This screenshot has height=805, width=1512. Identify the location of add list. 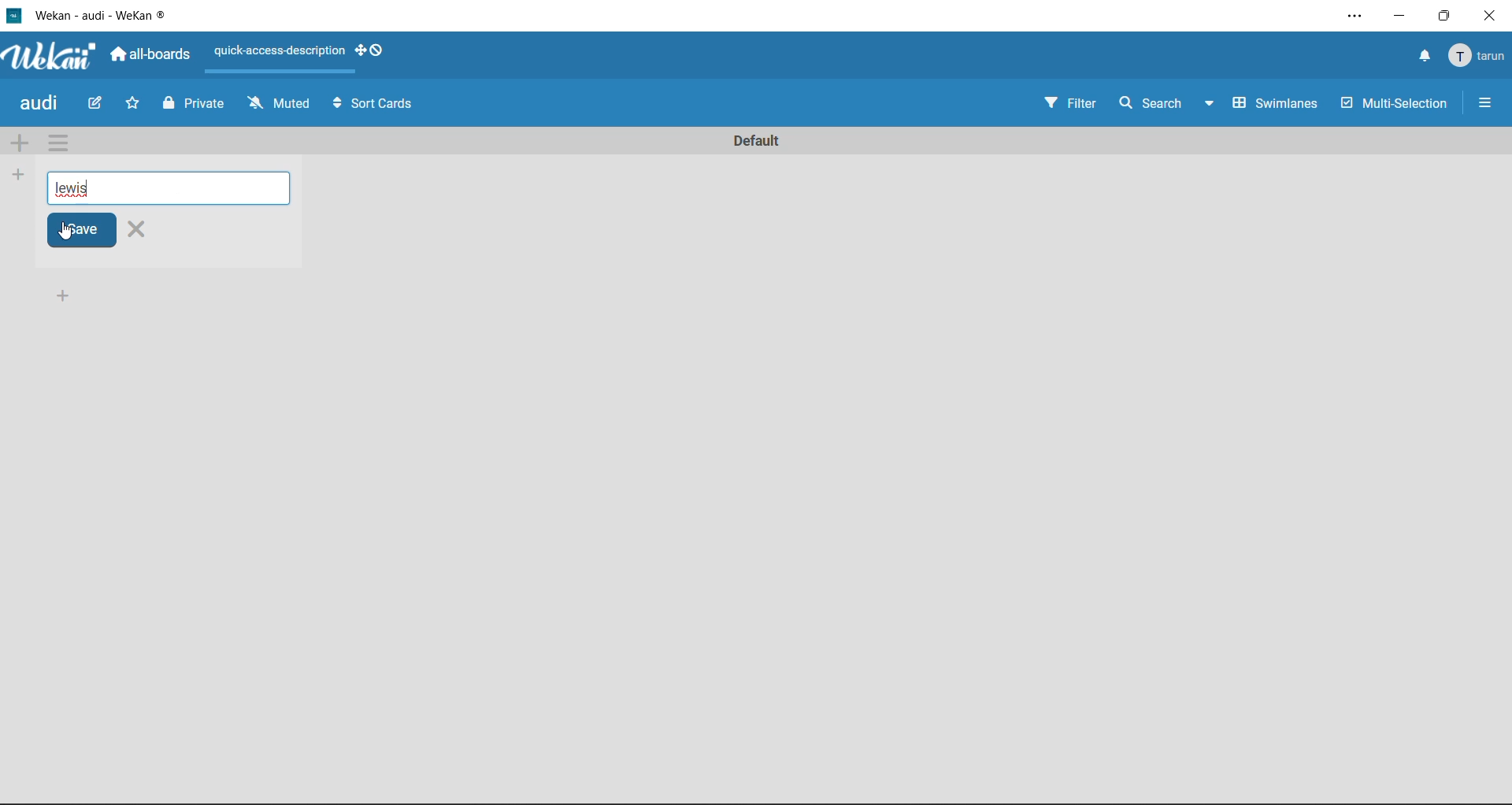
(74, 298).